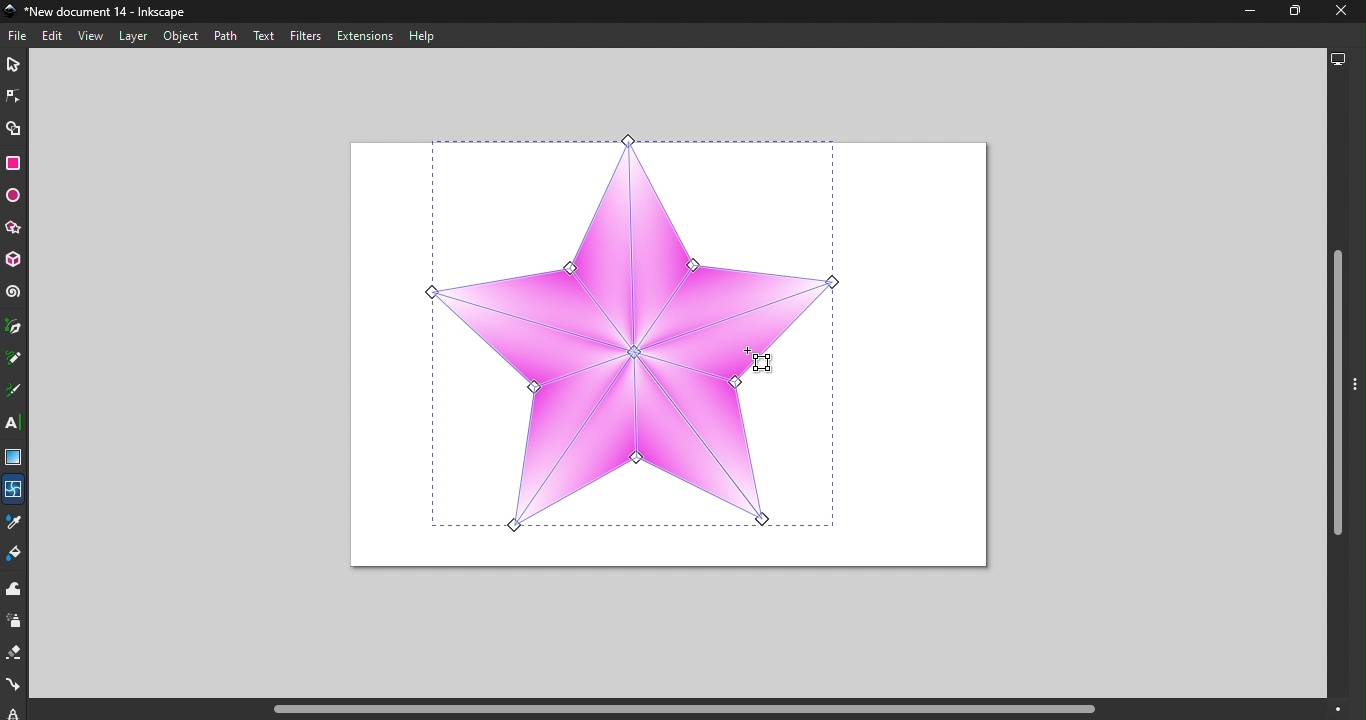 This screenshot has height=720, width=1366. What do you see at coordinates (102, 13) in the screenshot?
I see `File name` at bounding box center [102, 13].